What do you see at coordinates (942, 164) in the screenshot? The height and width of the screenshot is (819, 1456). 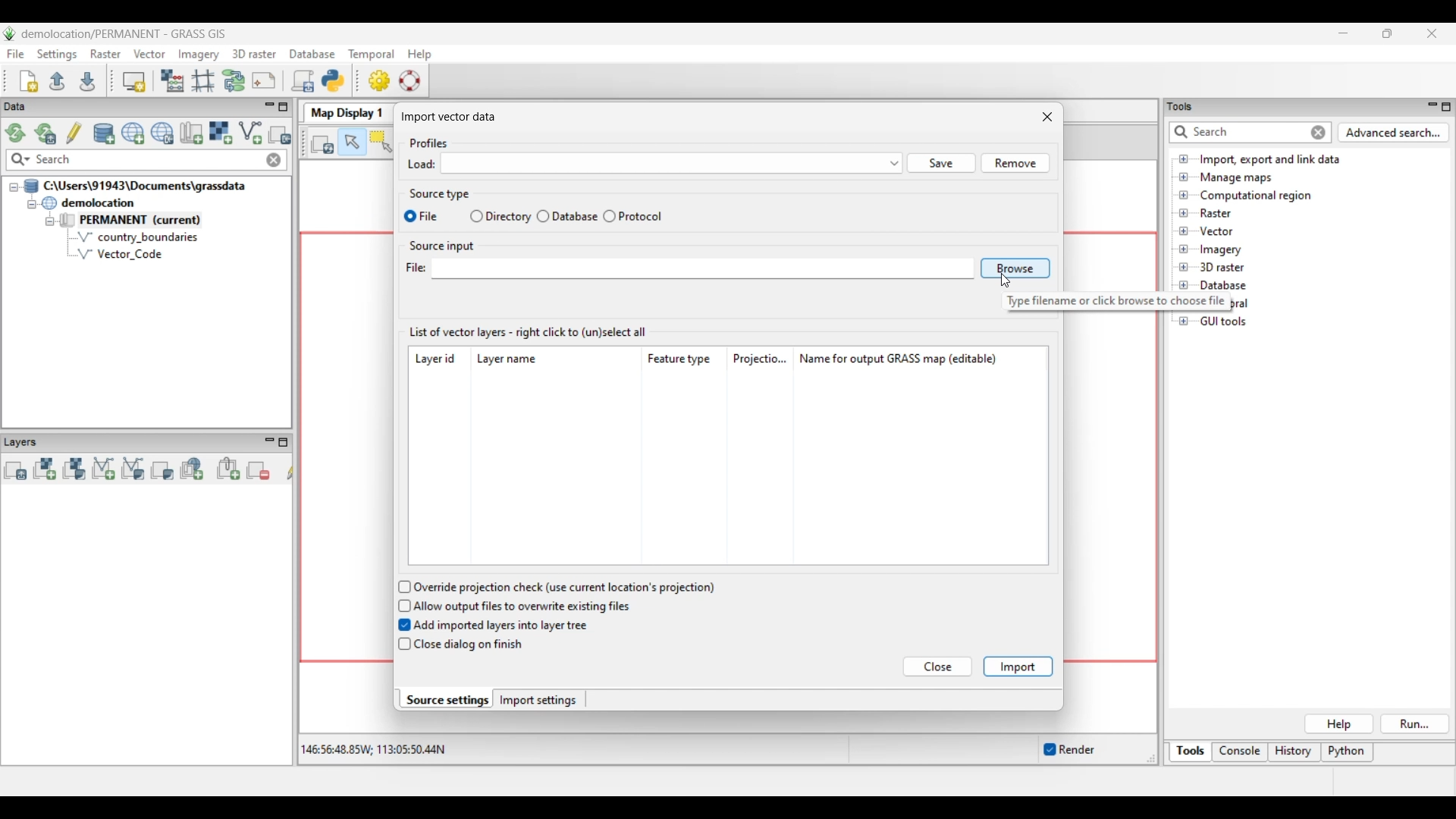 I see `Save input` at bounding box center [942, 164].